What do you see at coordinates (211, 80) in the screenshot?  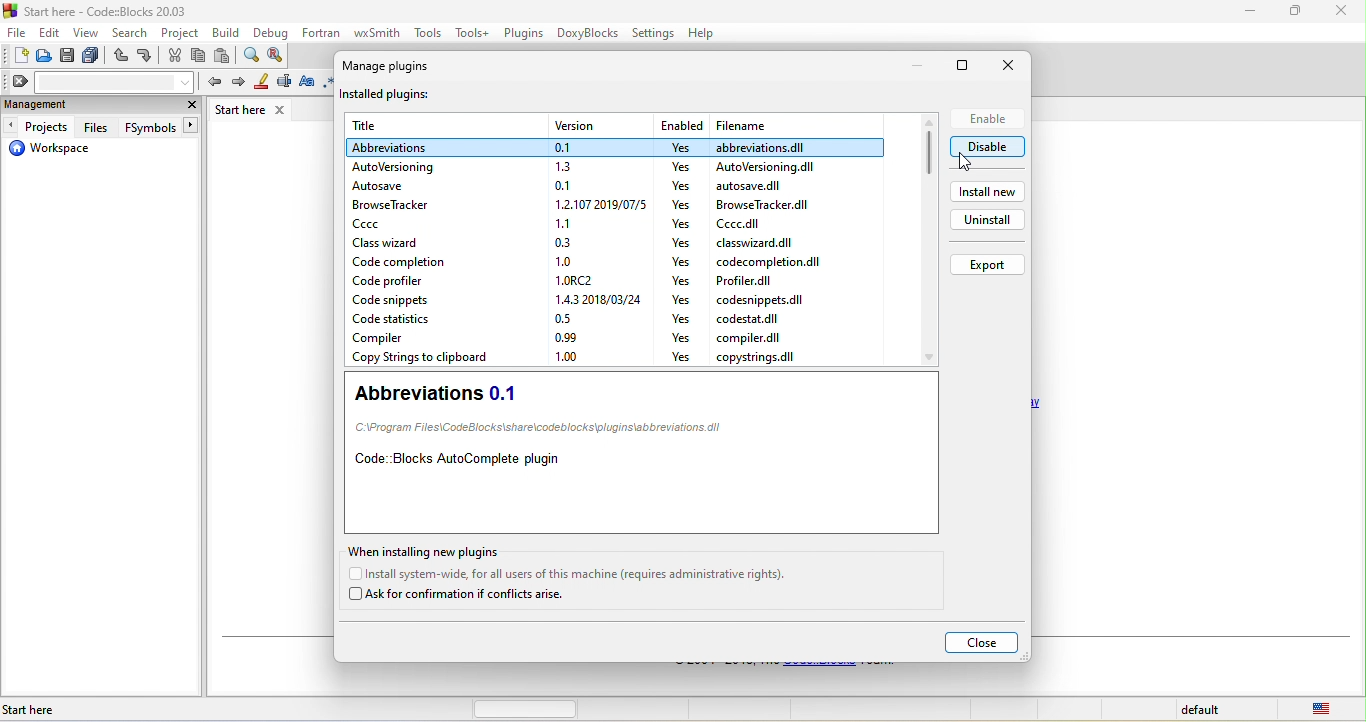 I see `prev` at bounding box center [211, 80].